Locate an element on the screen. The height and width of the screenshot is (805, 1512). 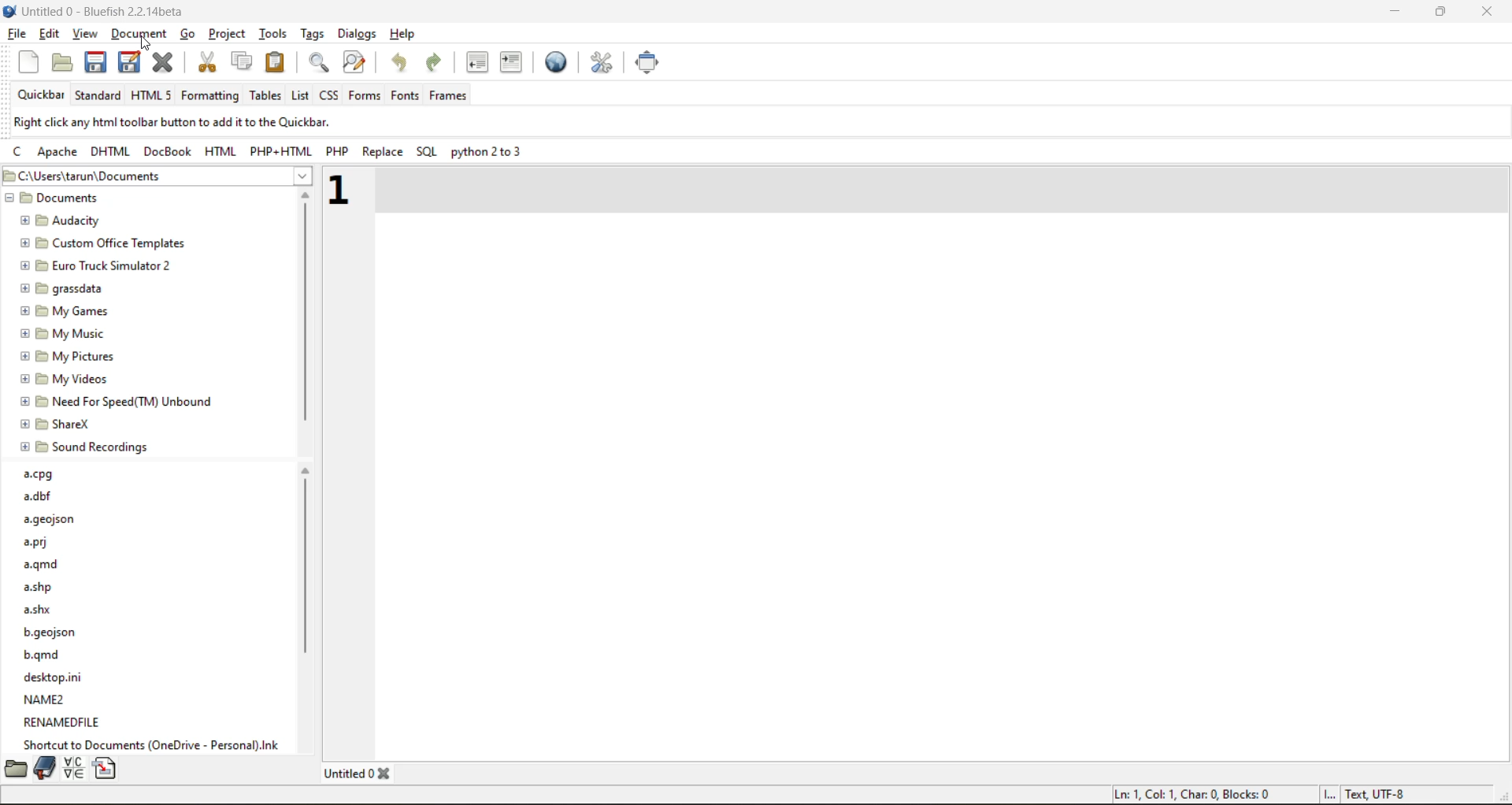
filebrowser is located at coordinates (14, 769).